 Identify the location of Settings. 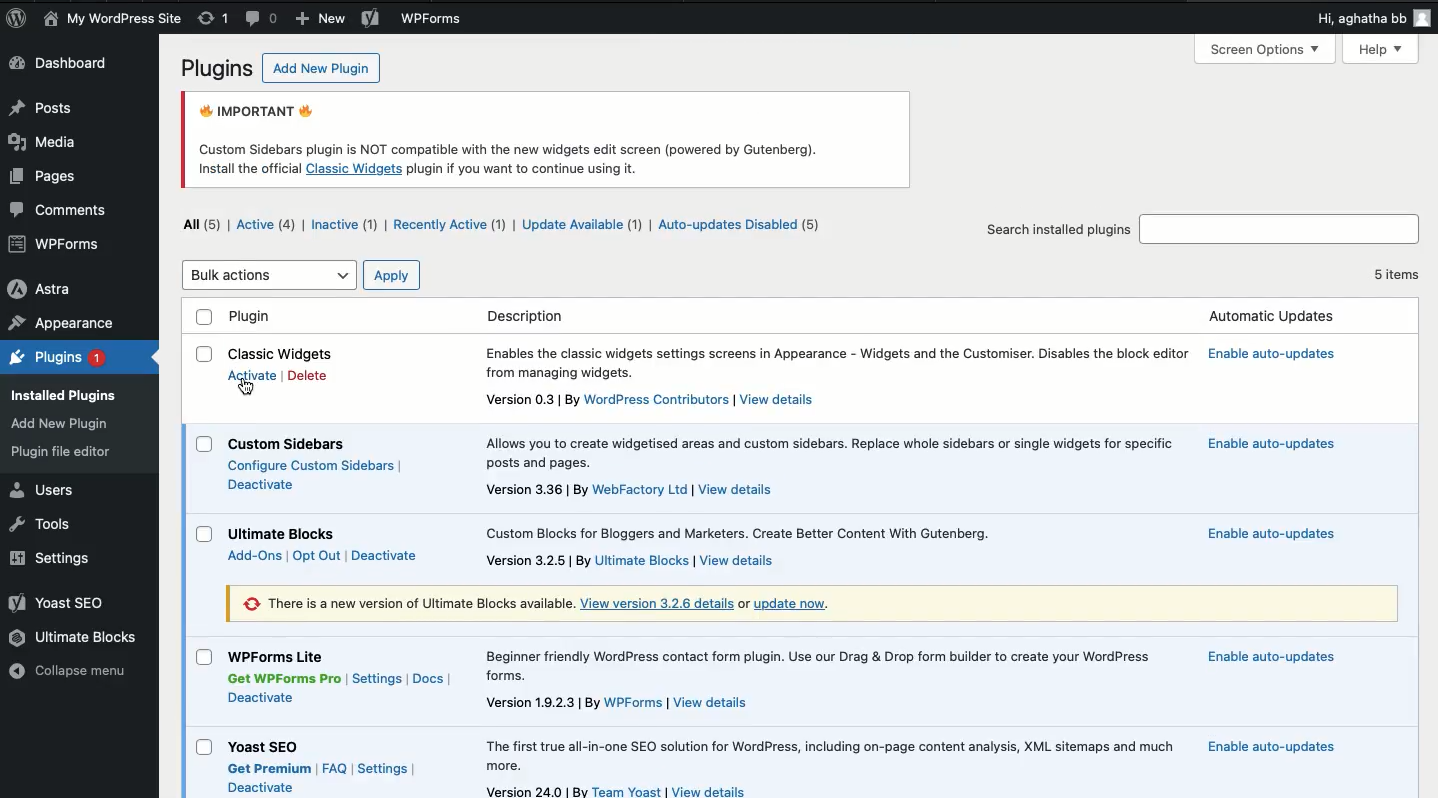
(383, 768).